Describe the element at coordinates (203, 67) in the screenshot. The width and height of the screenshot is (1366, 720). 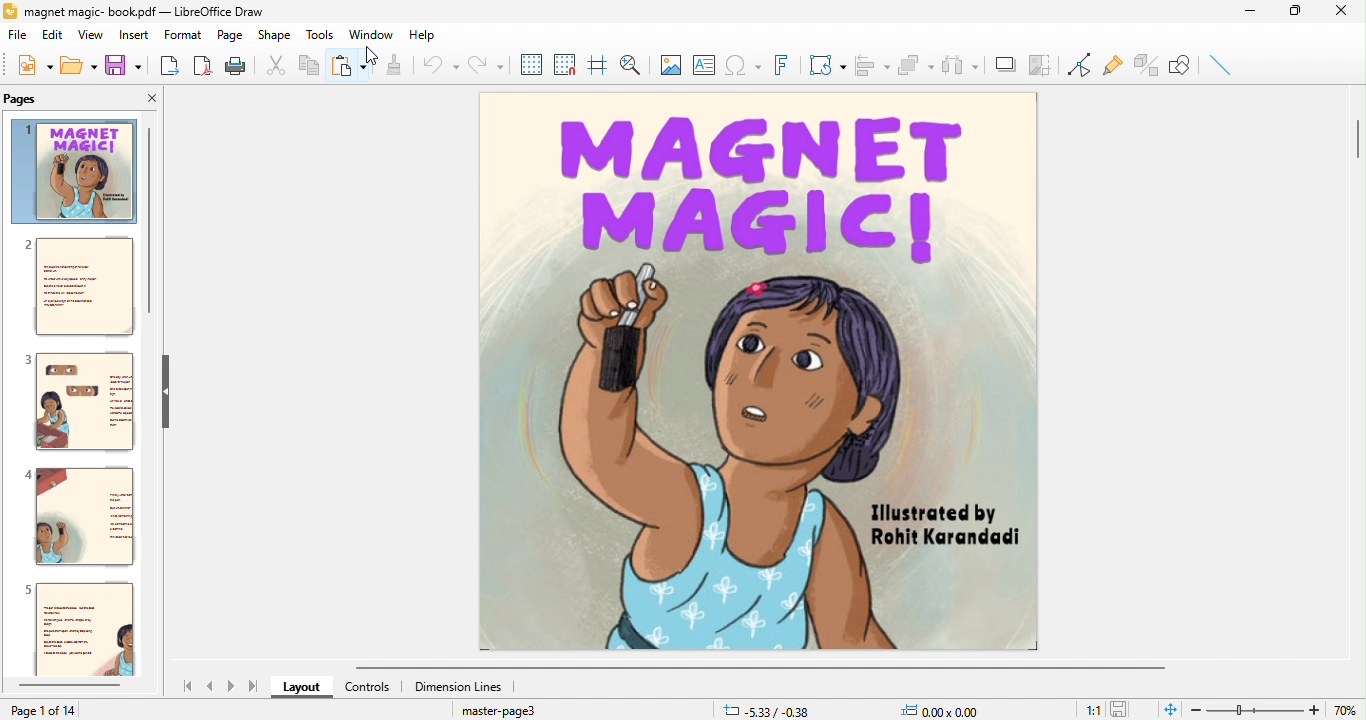
I see `export directly as pdf` at that location.